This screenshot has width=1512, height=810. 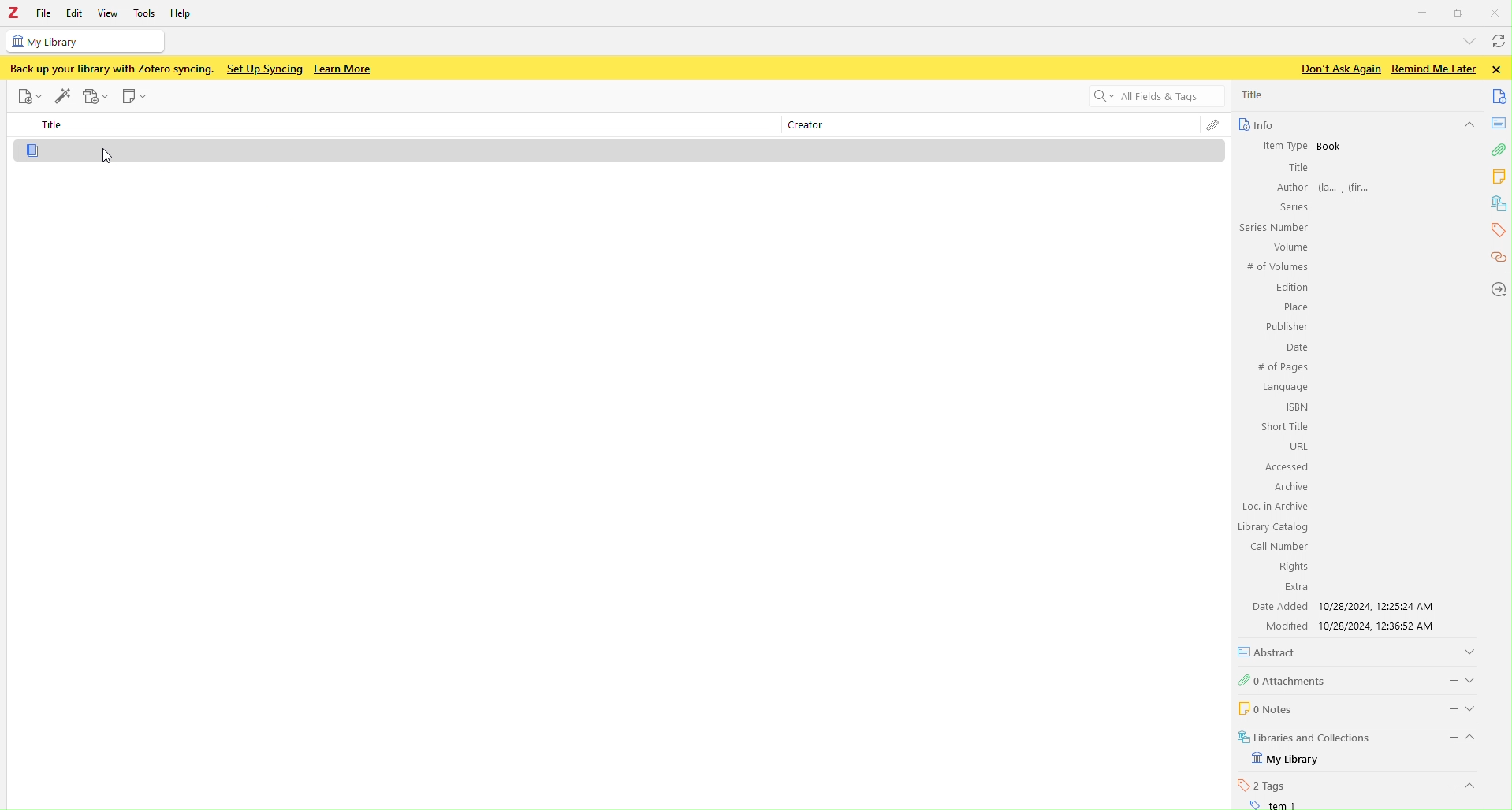 I want to click on add, so click(x=1444, y=707).